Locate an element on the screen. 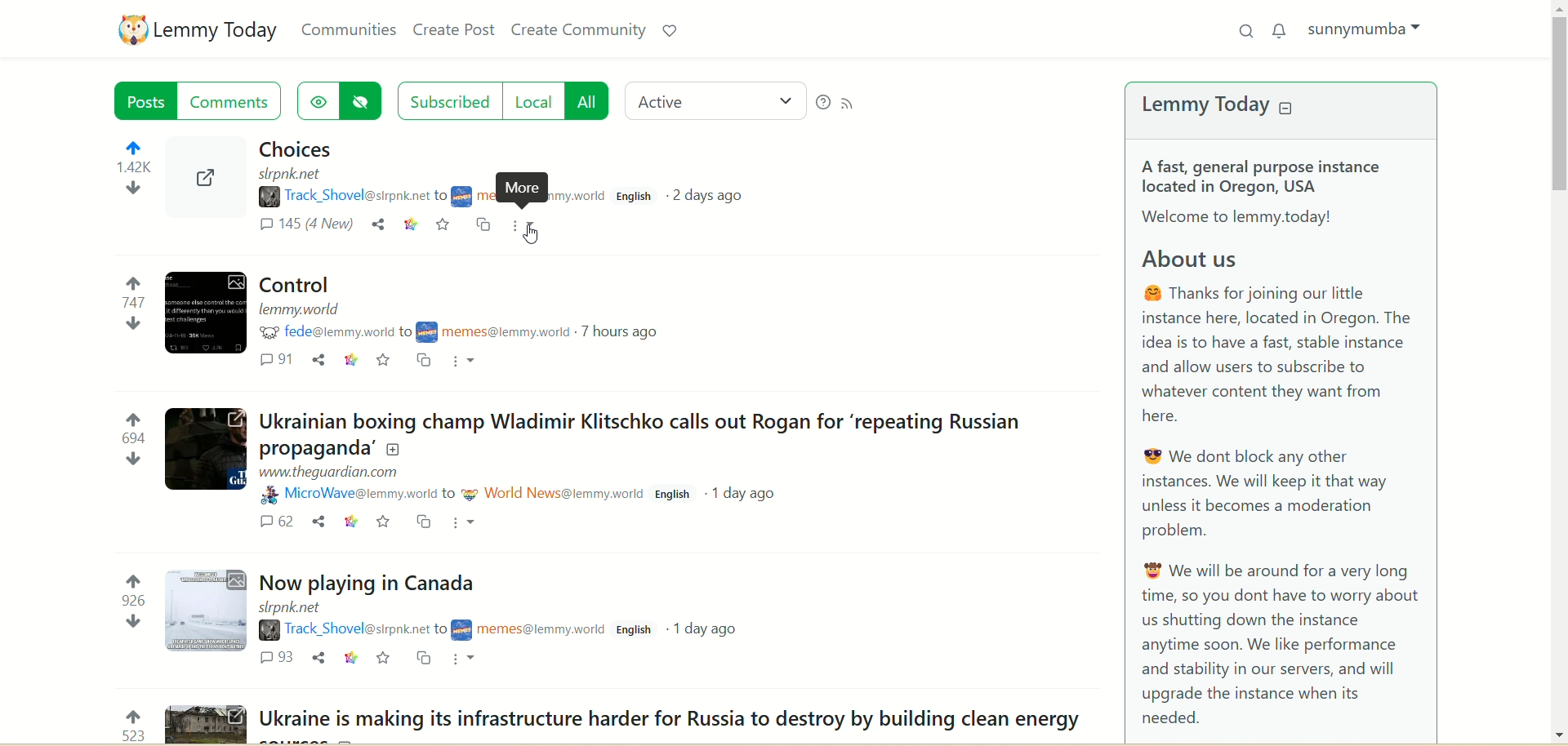  sunnymumba(account) is located at coordinates (1370, 29).